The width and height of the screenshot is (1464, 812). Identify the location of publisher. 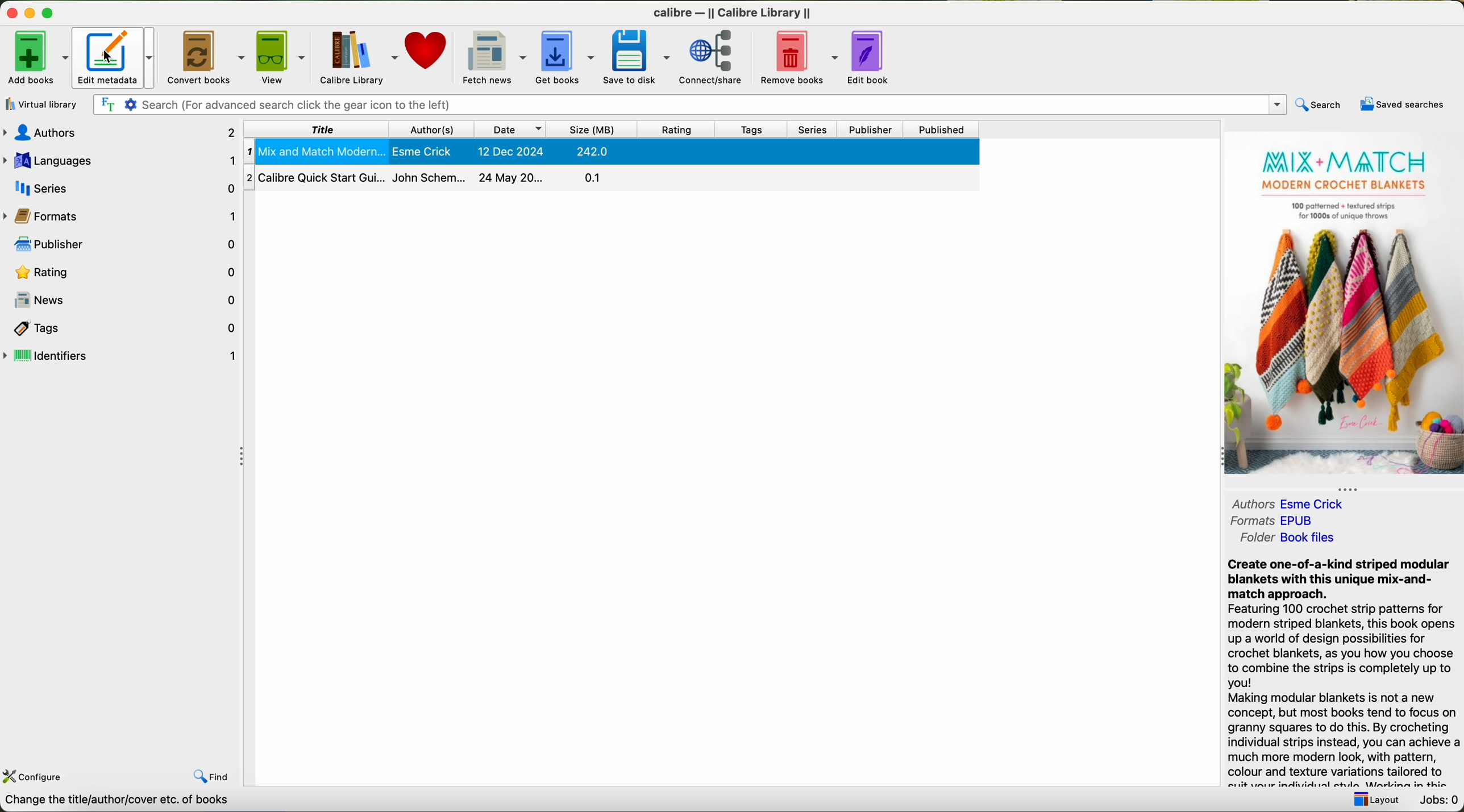
(870, 130).